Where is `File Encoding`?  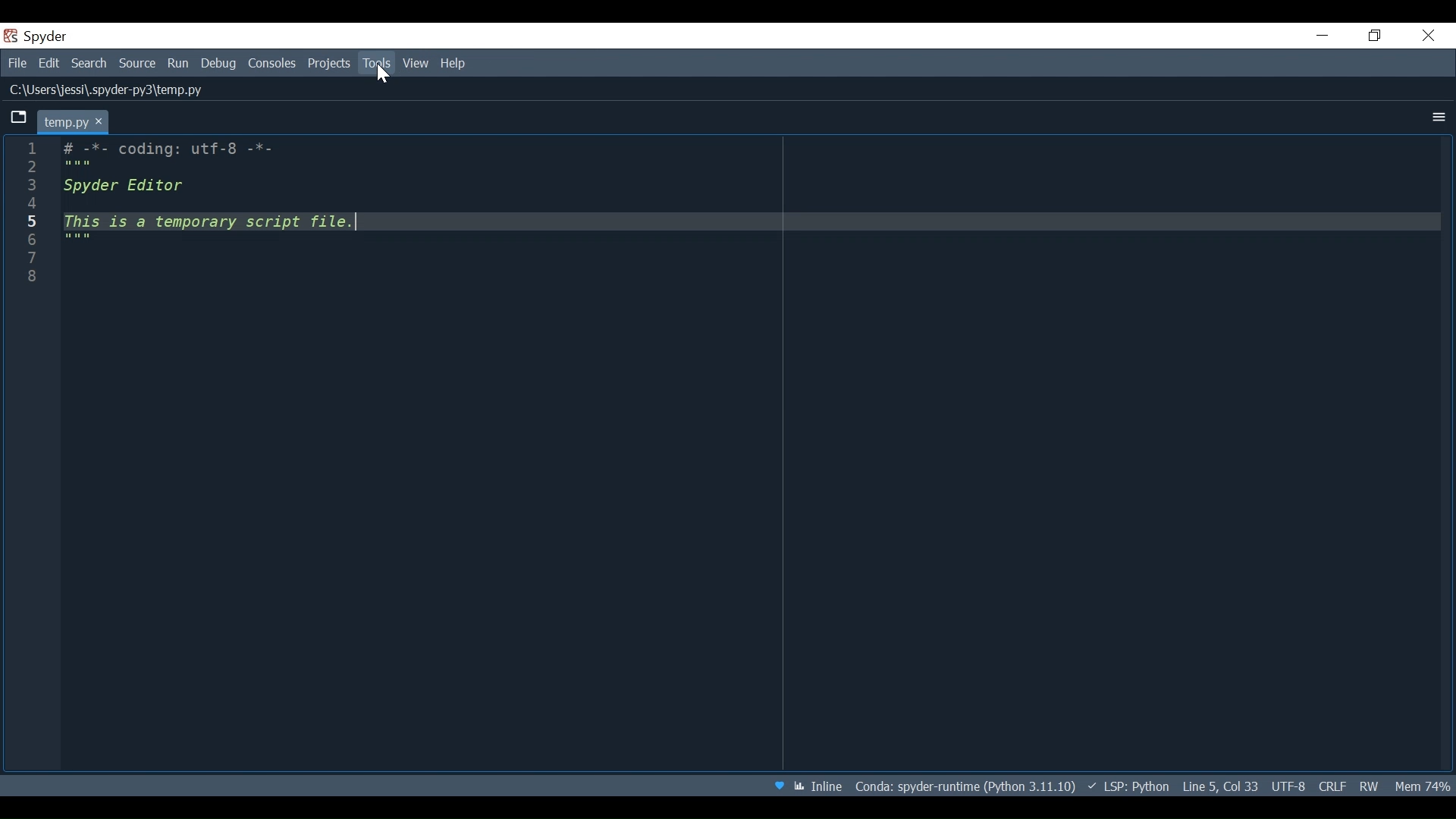
File Encoding is located at coordinates (1291, 785).